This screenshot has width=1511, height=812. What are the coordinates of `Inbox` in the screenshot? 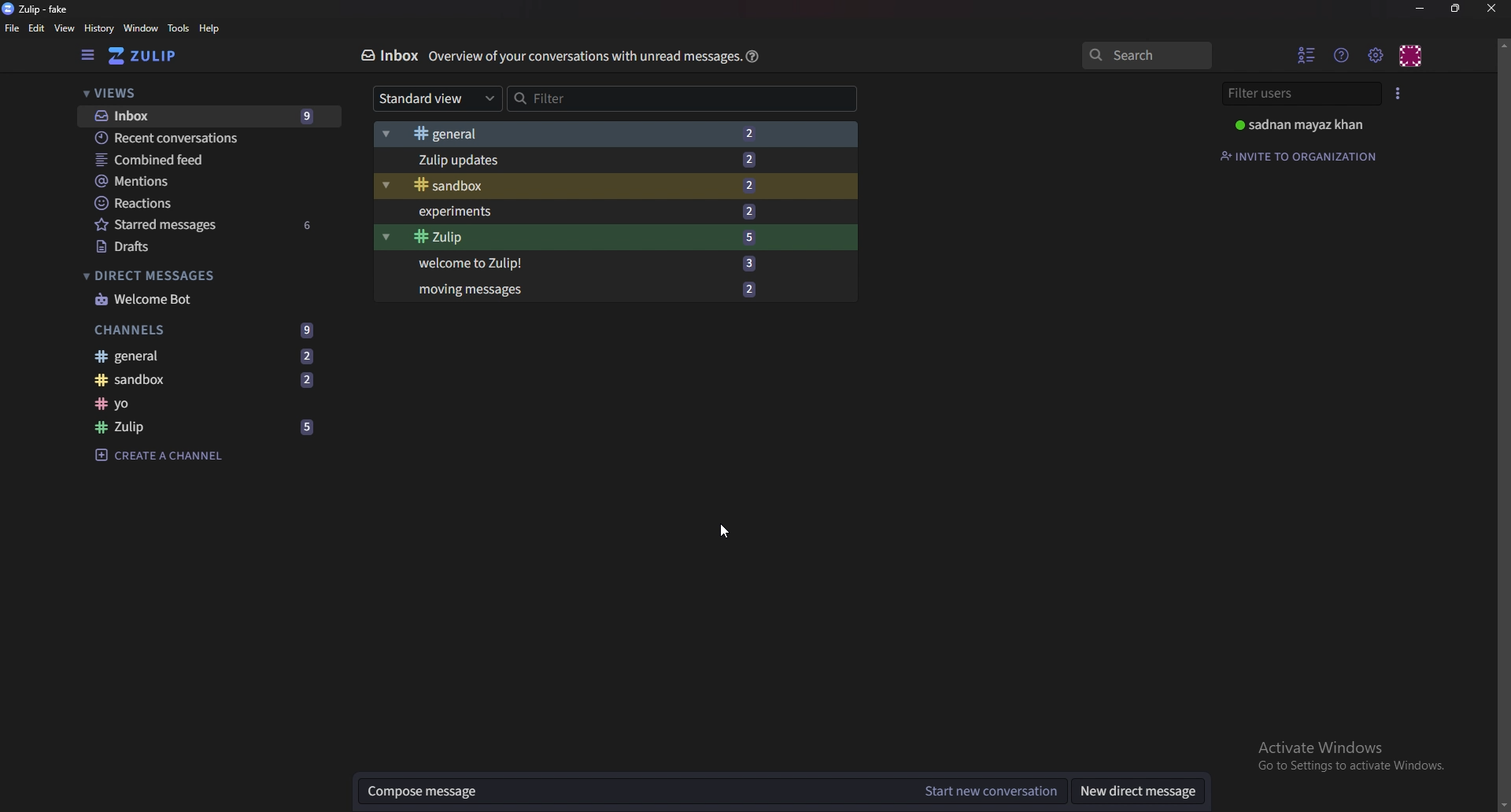 It's located at (386, 54).